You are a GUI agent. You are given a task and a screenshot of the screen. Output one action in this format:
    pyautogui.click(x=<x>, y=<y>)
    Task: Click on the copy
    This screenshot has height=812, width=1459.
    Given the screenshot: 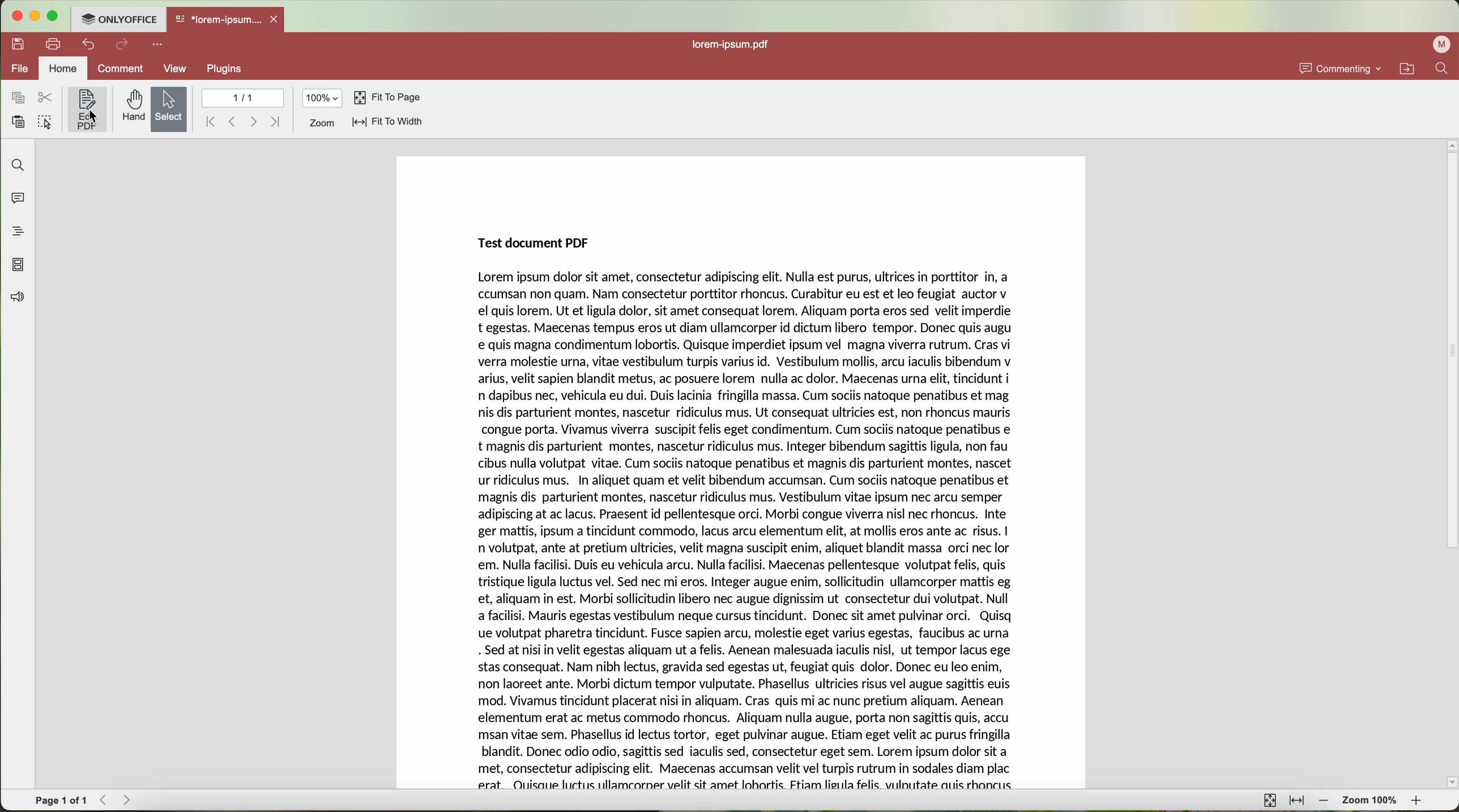 What is the action you would take?
    pyautogui.click(x=18, y=98)
    